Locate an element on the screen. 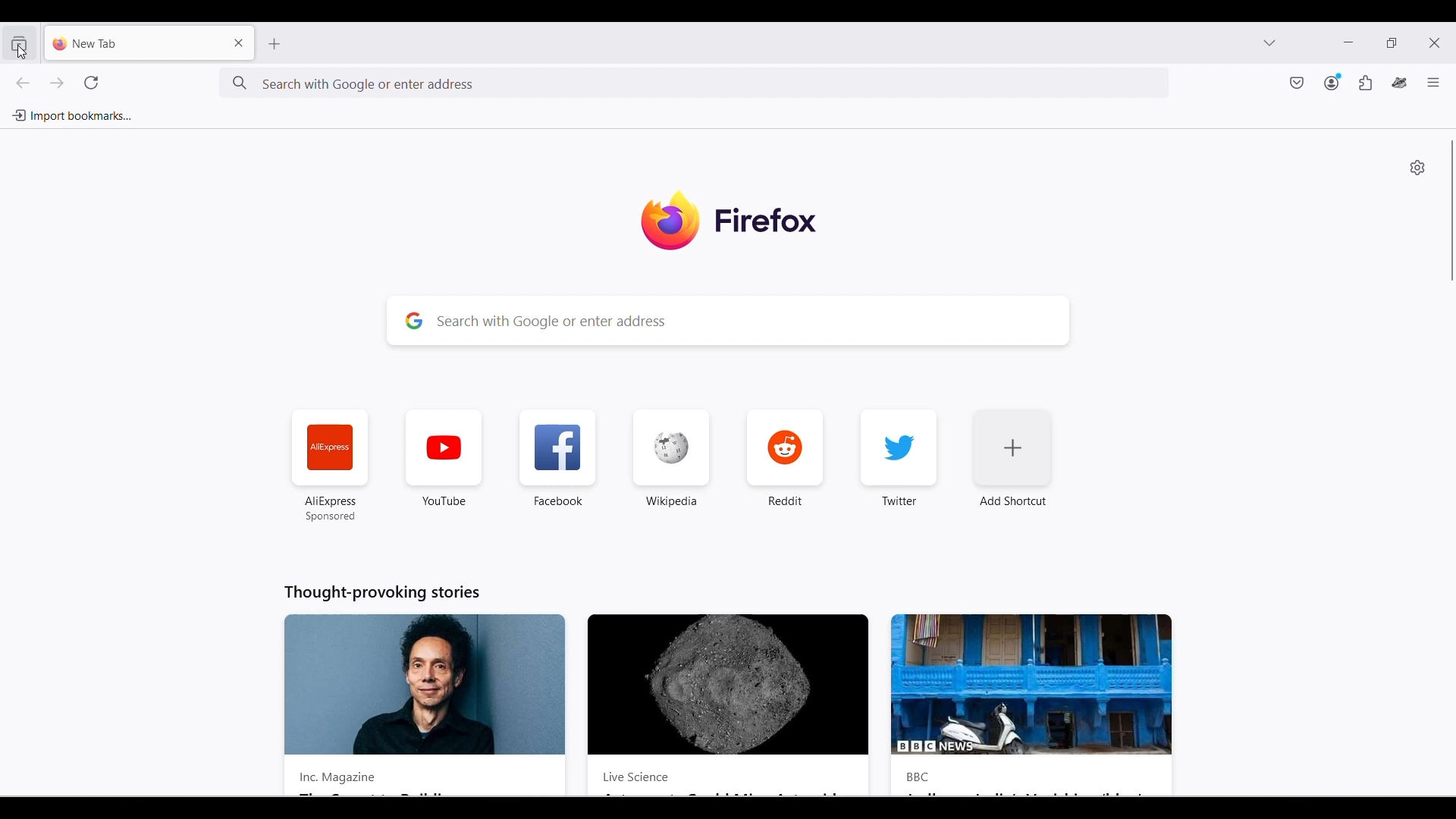 The width and height of the screenshot is (1456, 819). Add shortcut is located at coordinates (1012, 457).